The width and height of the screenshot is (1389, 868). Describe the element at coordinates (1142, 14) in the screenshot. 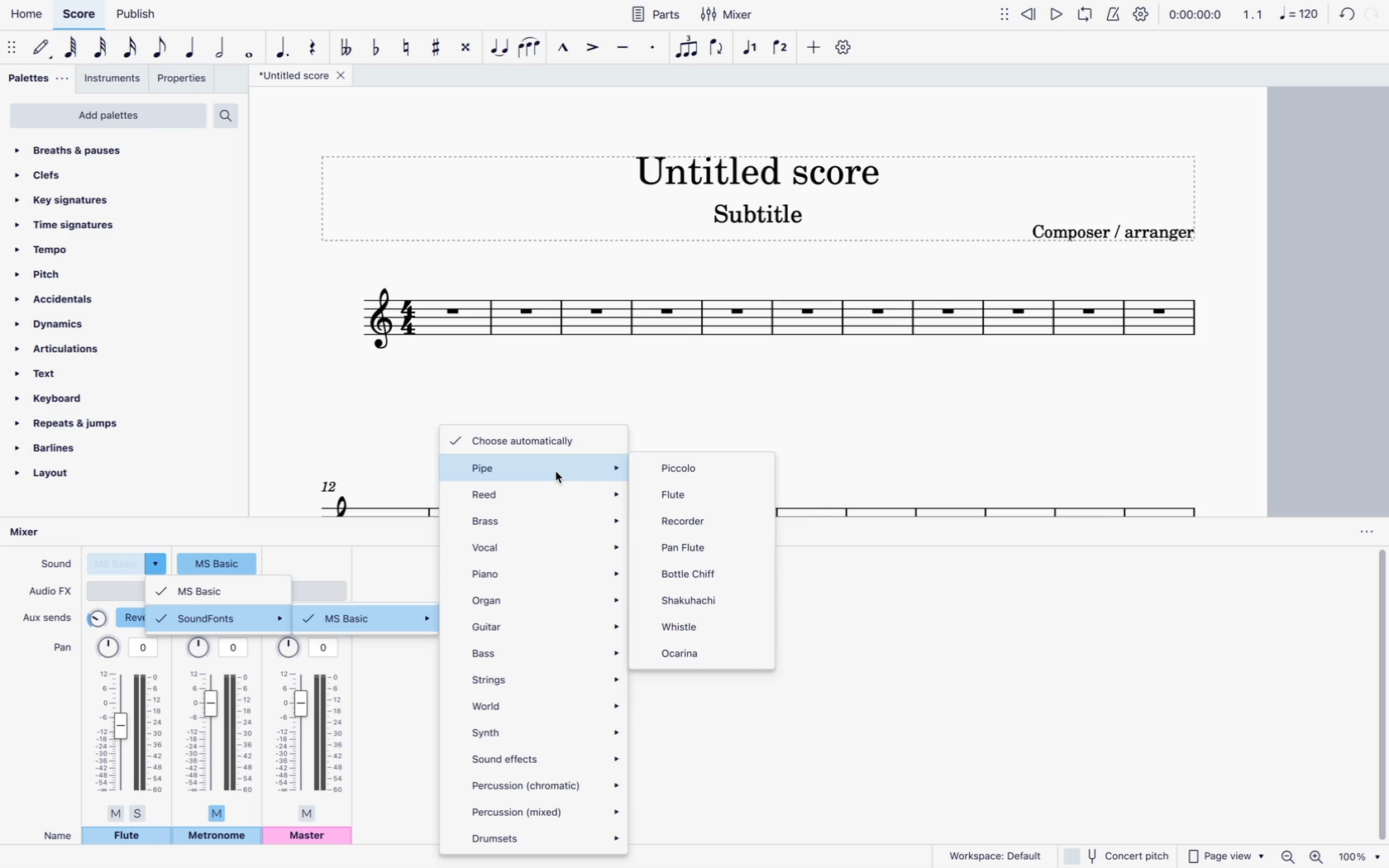

I see `settings` at that location.